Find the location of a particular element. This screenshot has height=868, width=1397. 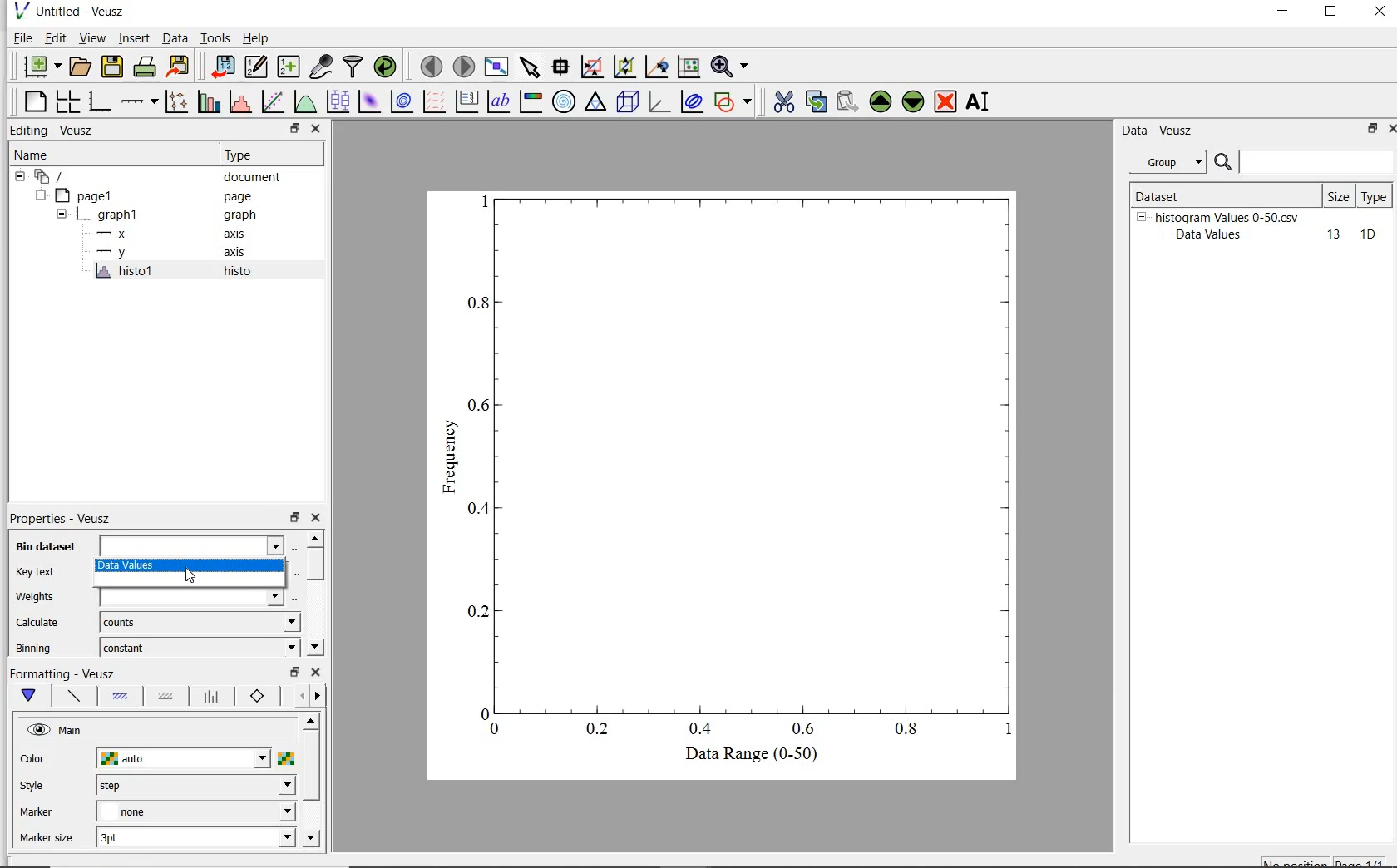

import data into veusz is located at coordinates (225, 67).